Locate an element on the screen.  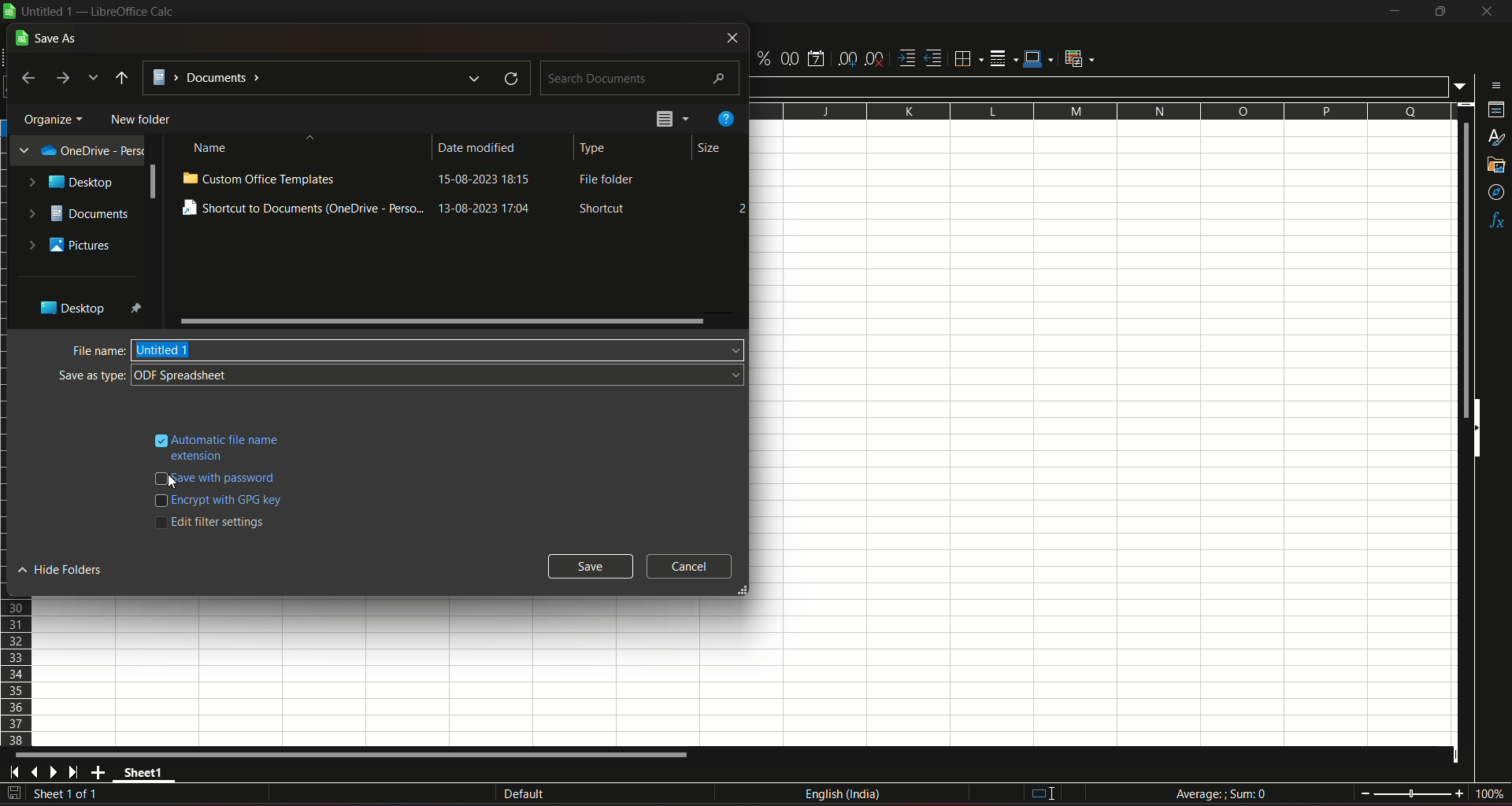
conditional is located at coordinates (1084, 59).